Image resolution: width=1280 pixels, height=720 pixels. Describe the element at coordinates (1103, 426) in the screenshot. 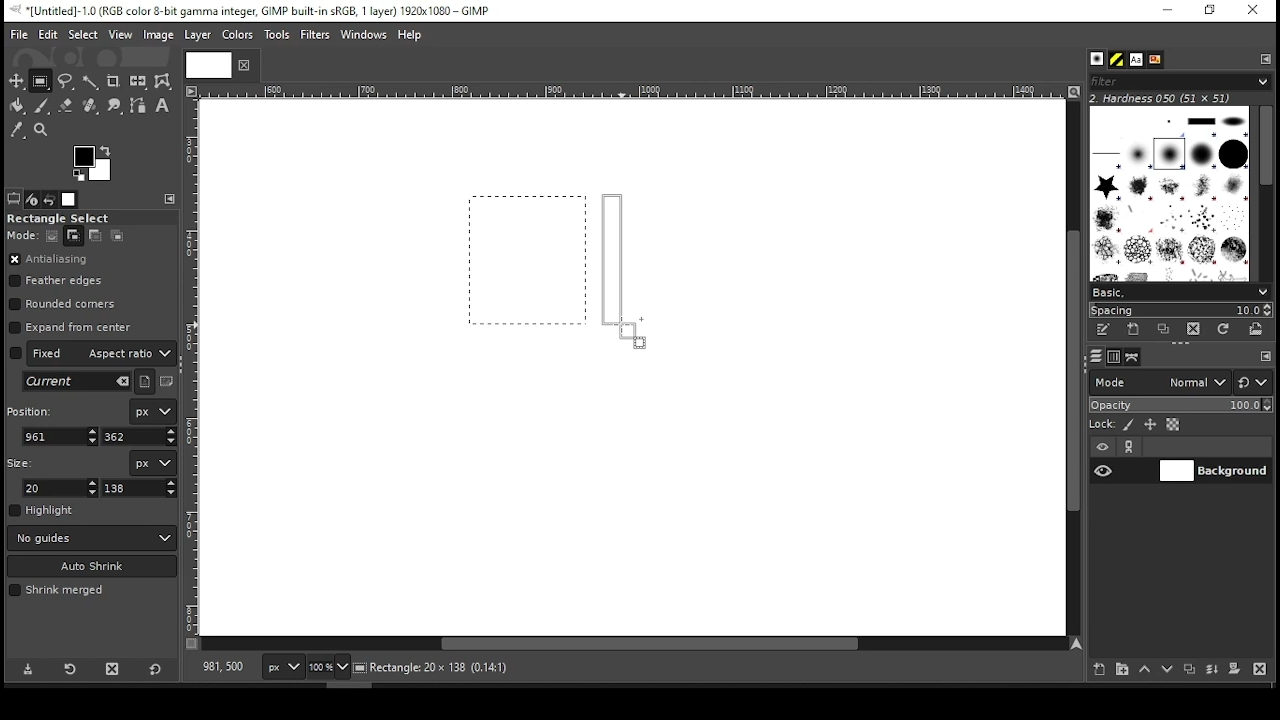

I see `lock:` at that location.